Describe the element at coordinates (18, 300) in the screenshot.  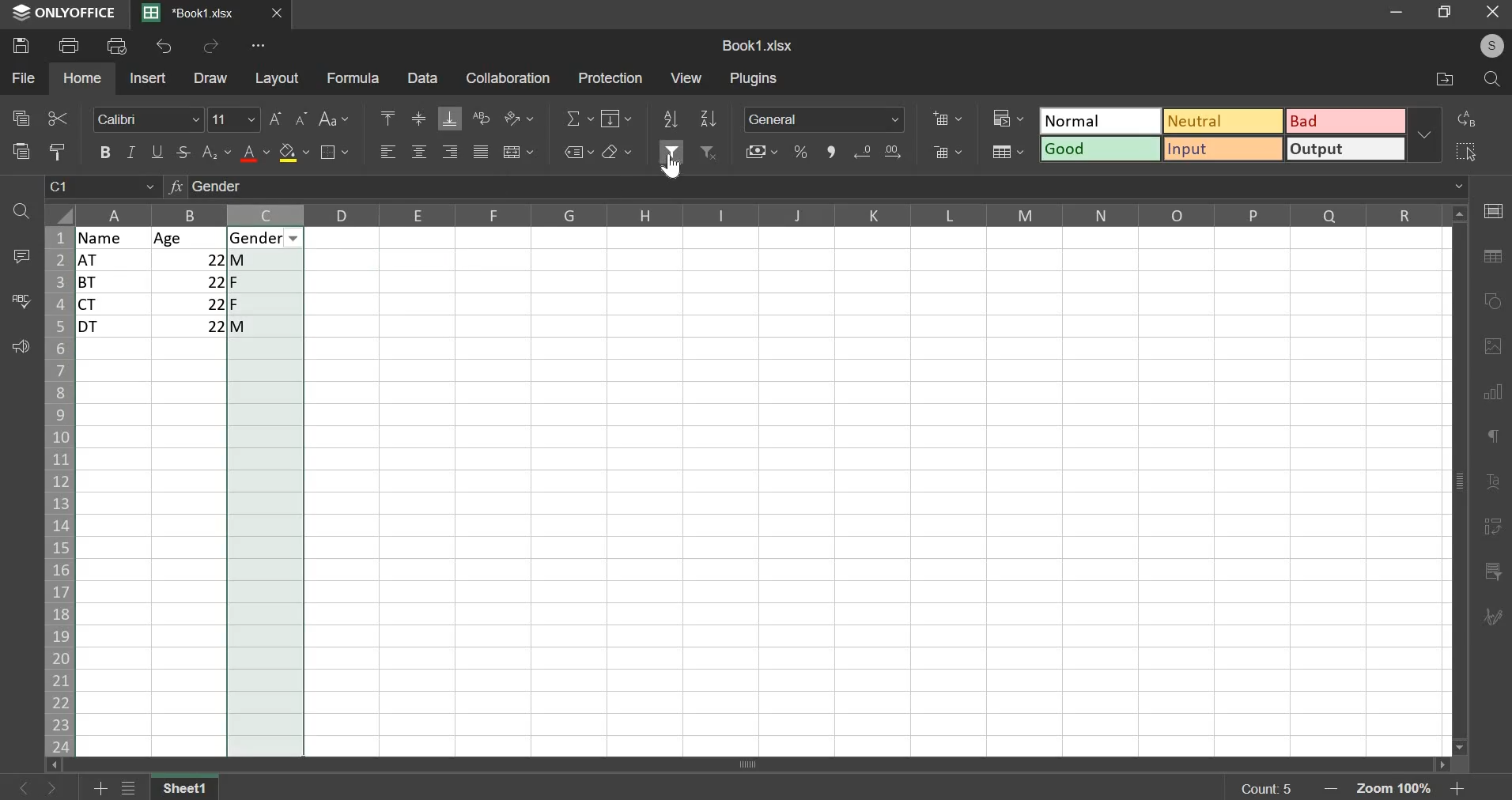
I see `spell check` at that location.